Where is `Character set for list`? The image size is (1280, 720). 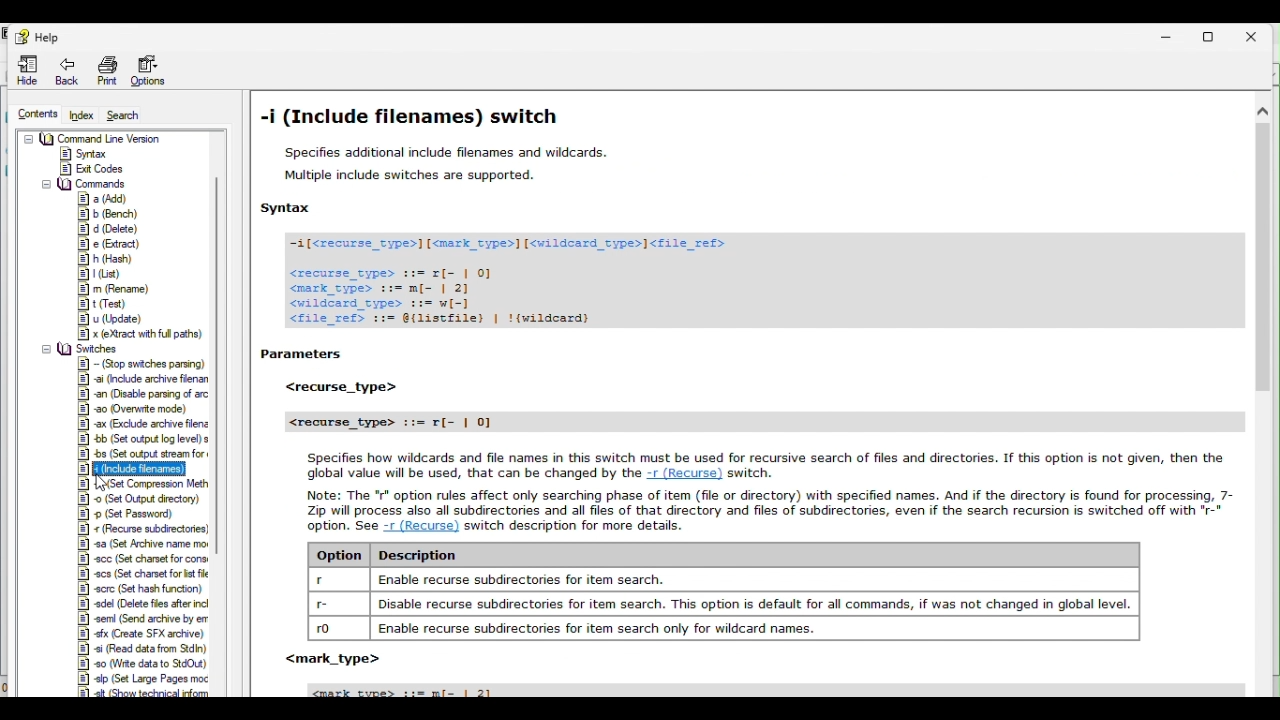 Character set for list is located at coordinates (143, 573).